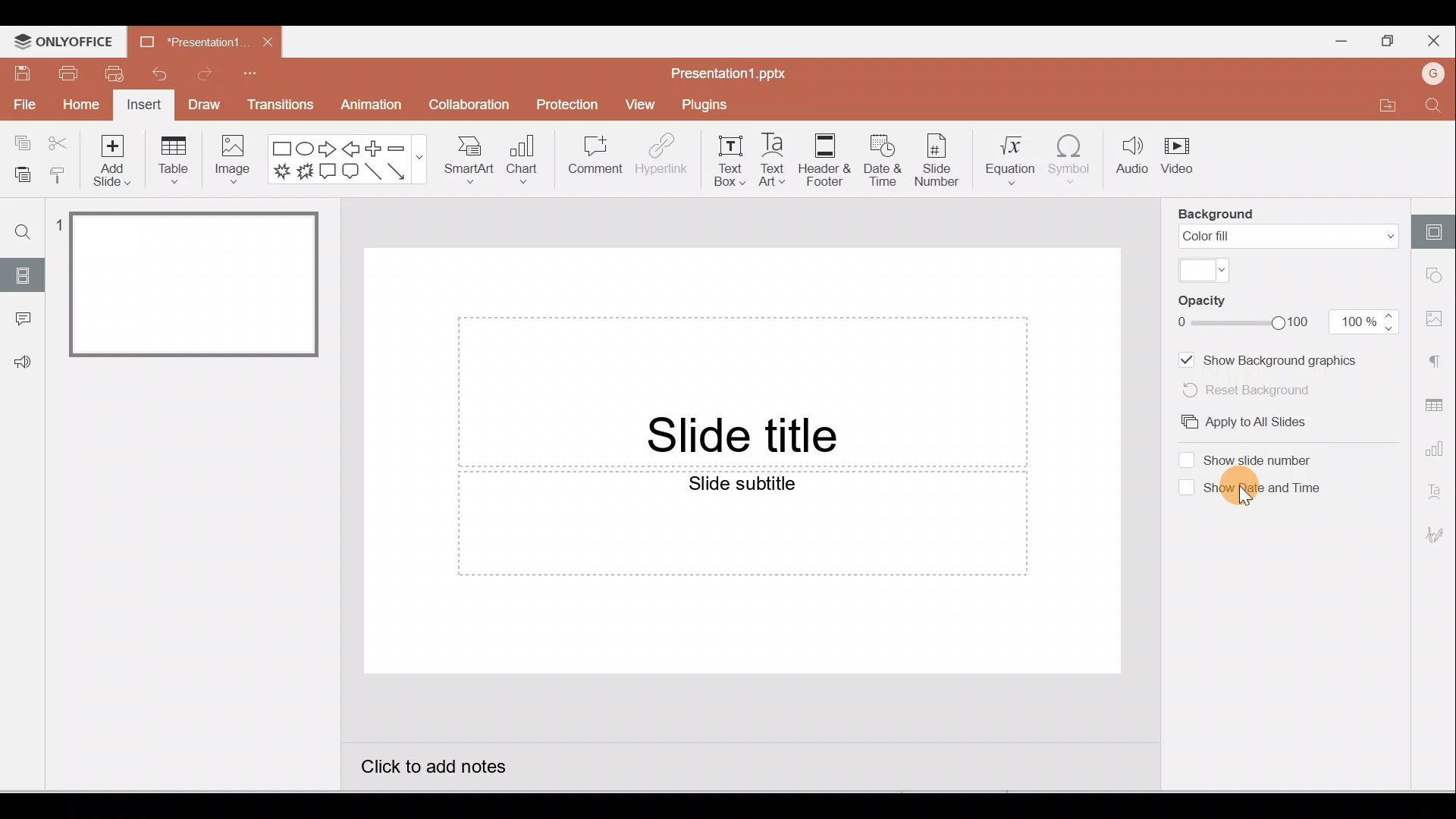  What do you see at coordinates (1270, 490) in the screenshot?
I see `Show date and time` at bounding box center [1270, 490].